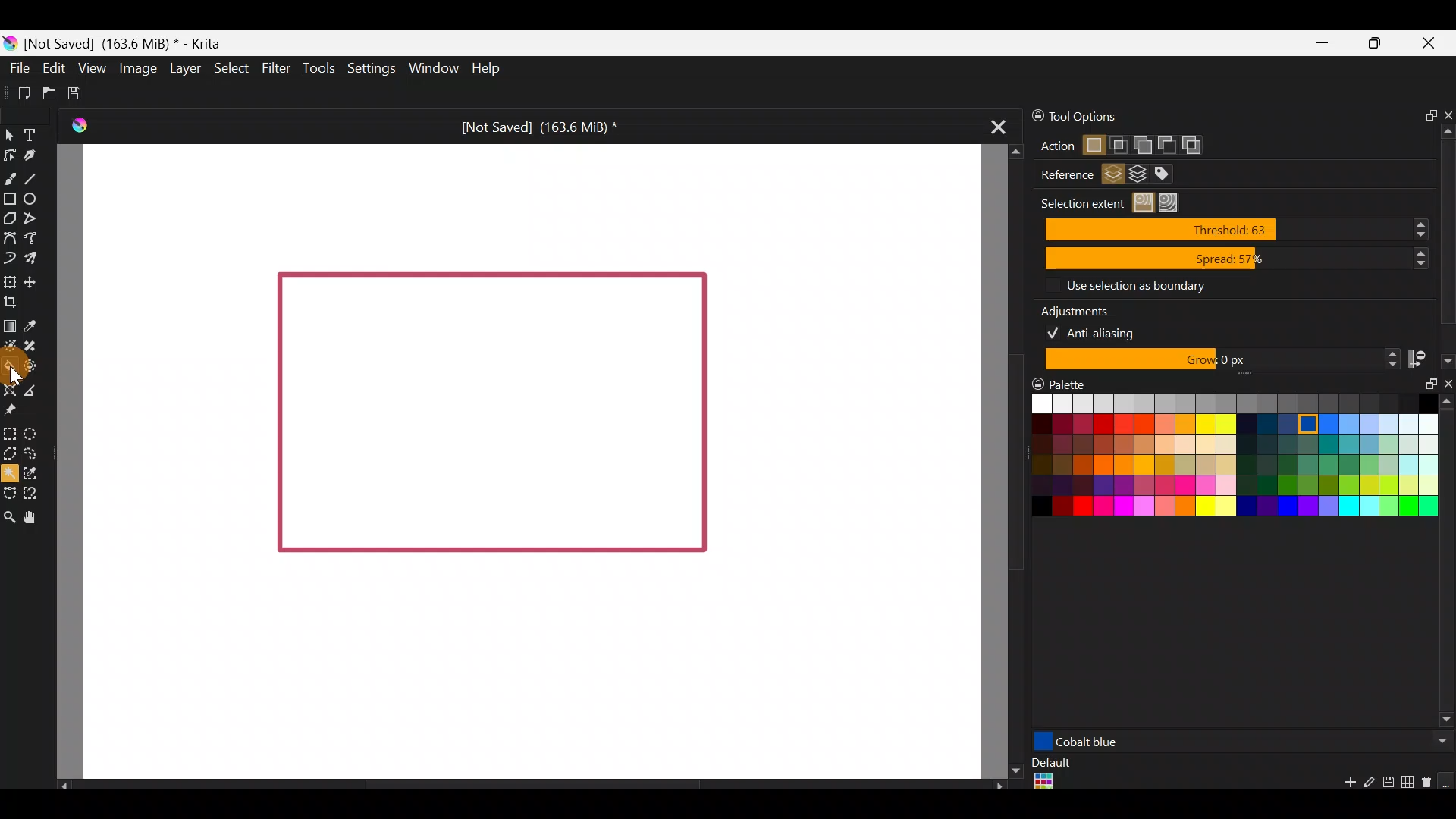 This screenshot has width=1456, height=819. I want to click on Ellipse tool, so click(36, 198).